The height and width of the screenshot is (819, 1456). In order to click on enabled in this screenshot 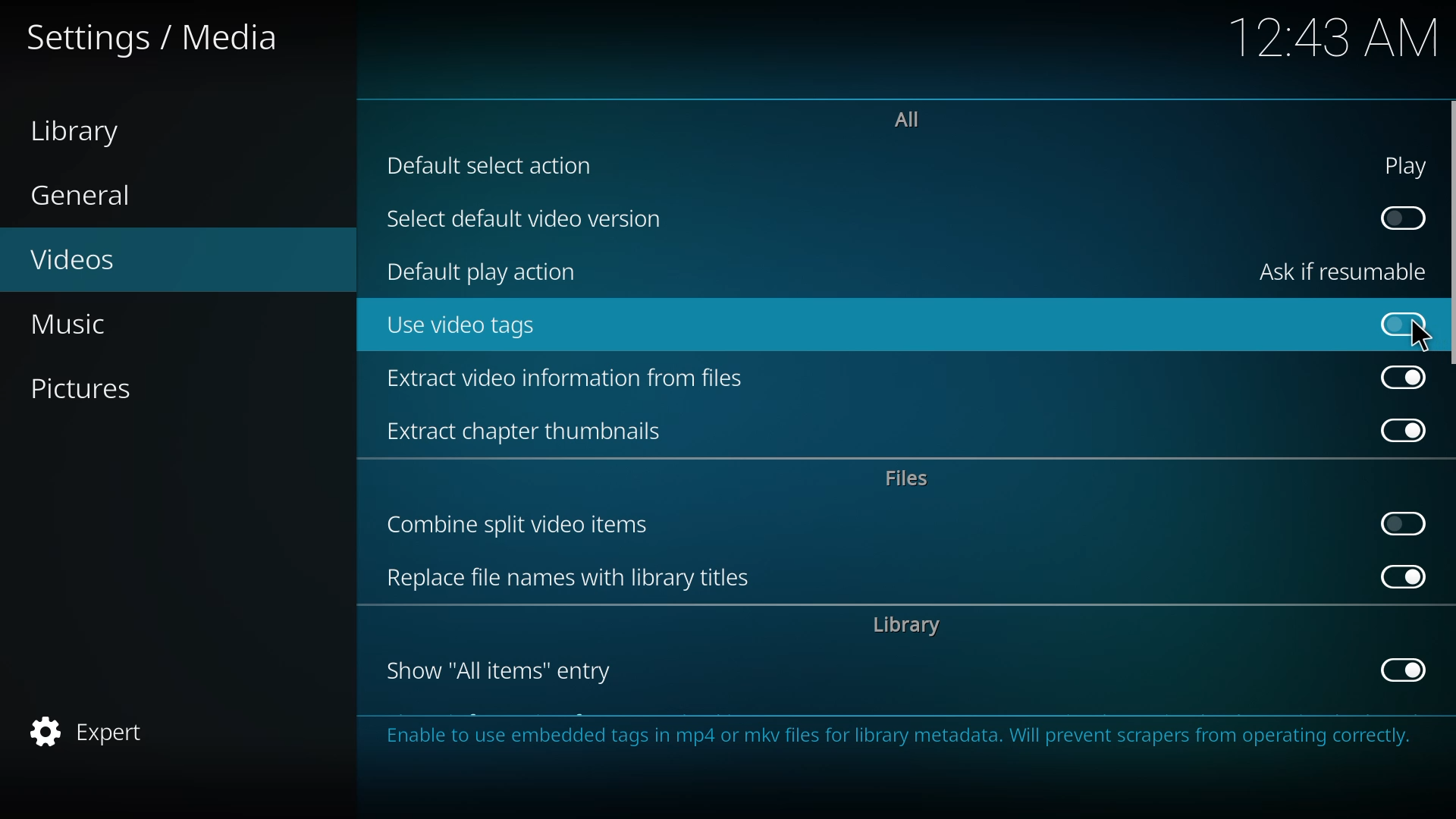, I will do `click(1406, 378)`.